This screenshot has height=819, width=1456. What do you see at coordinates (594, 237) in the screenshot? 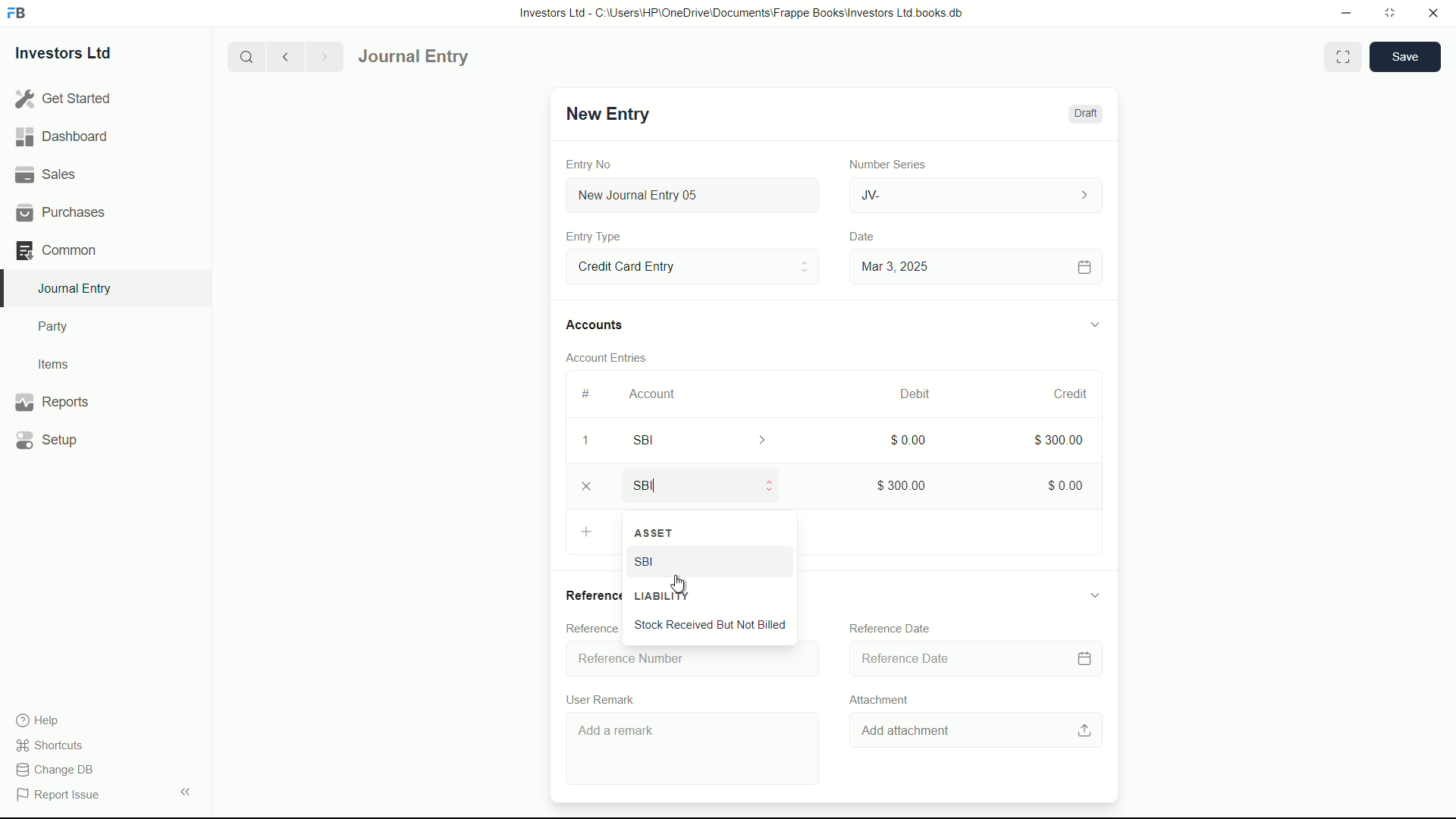
I see `Entry Type` at bounding box center [594, 237].